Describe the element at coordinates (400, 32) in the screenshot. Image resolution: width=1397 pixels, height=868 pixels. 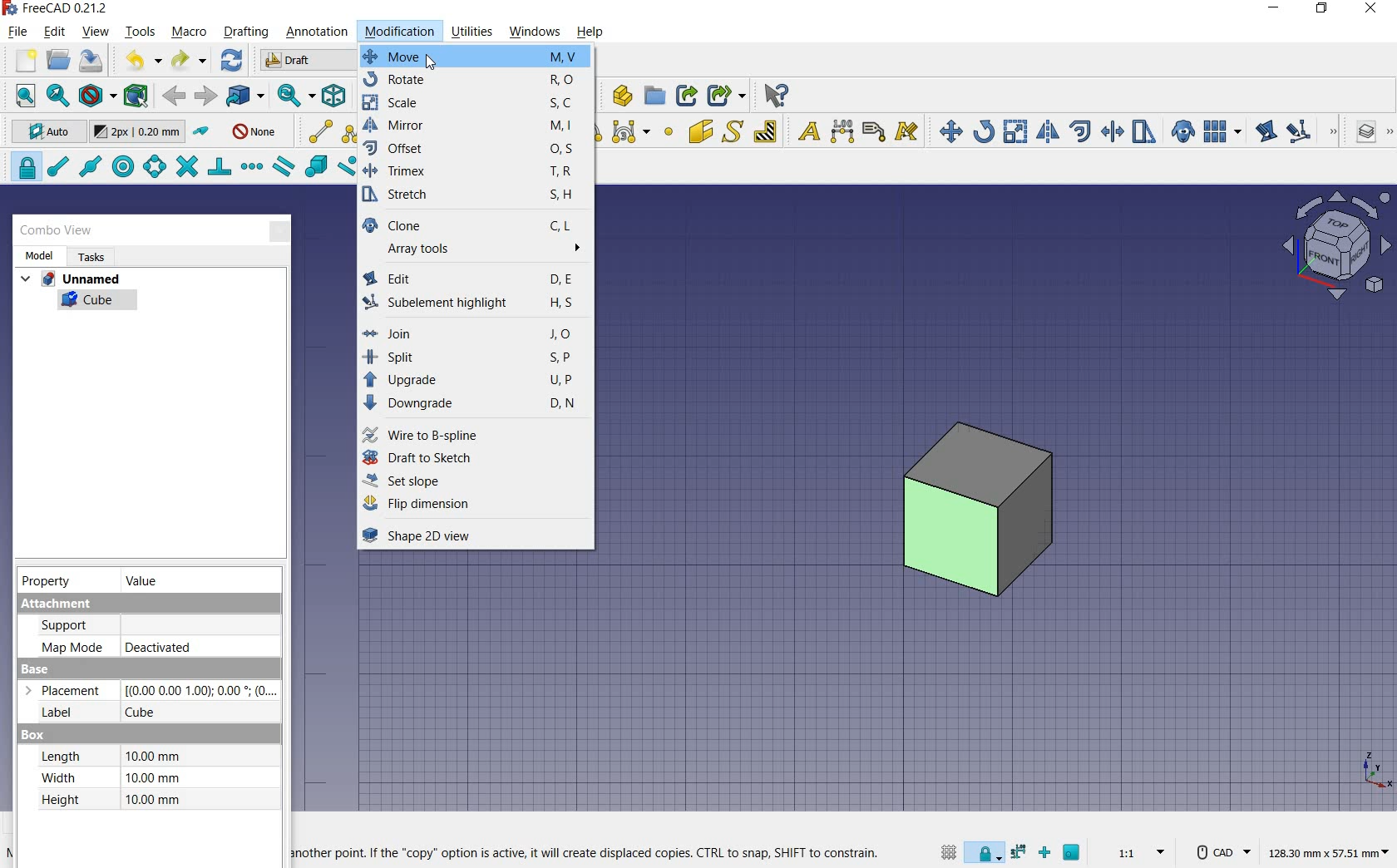
I see `modification` at that location.